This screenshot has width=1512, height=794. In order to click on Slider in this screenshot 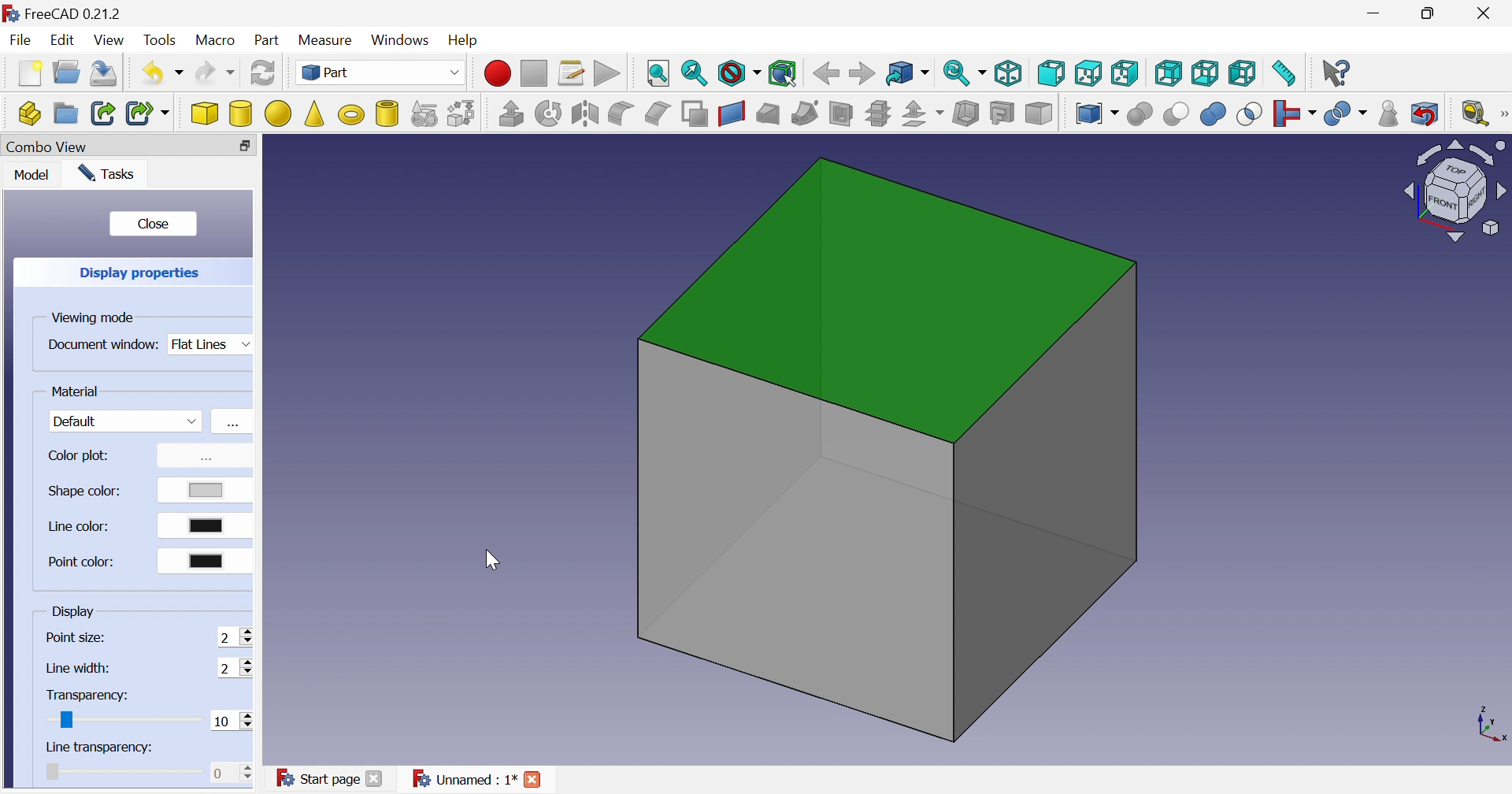, I will do `click(61, 721)`.